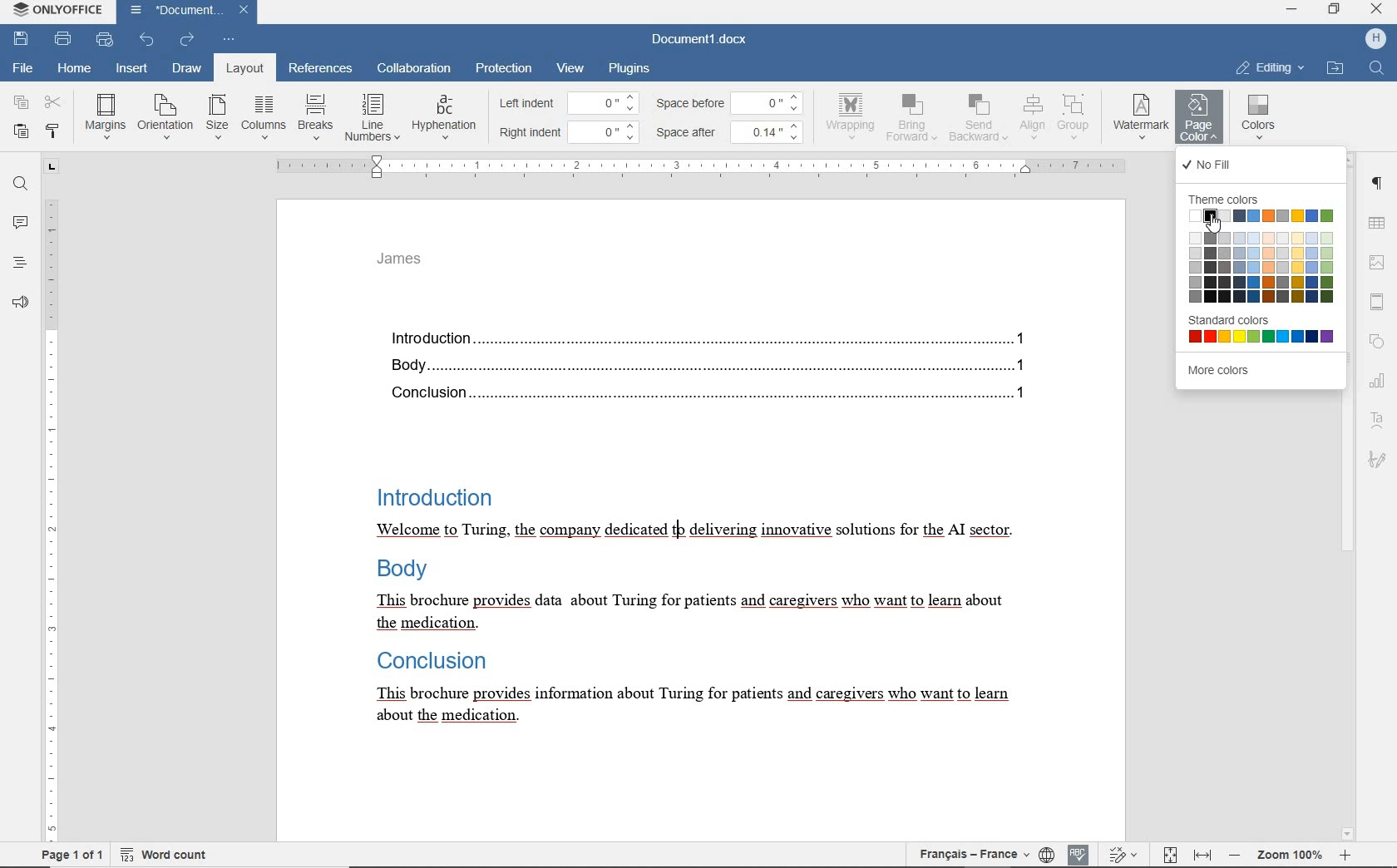  What do you see at coordinates (375, 116) in the screenshot?
I see `line numbers` at bounding box center [375, 116].